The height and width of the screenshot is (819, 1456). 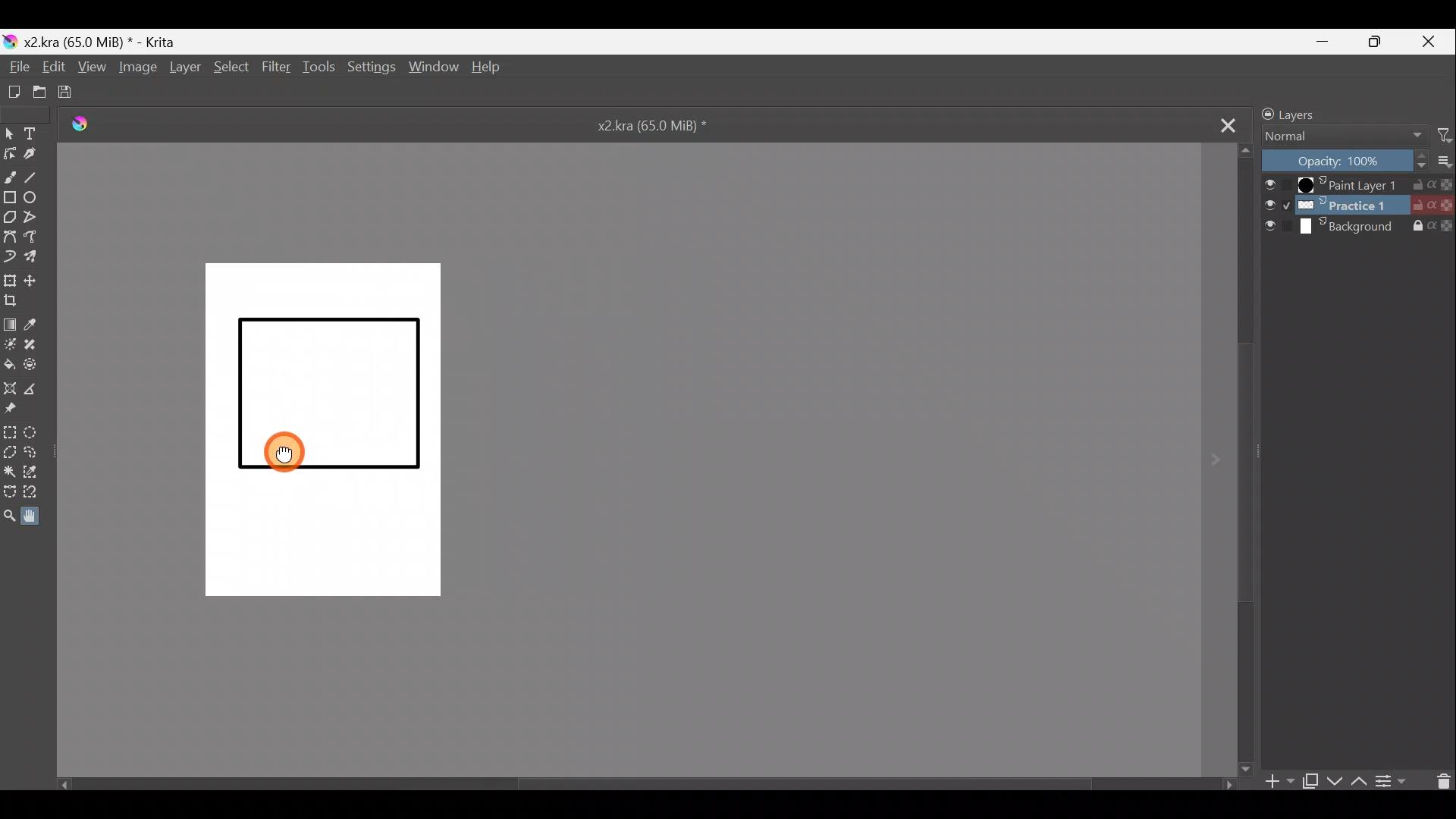 I want to click on Minimize, so click(x=1323, y=41).